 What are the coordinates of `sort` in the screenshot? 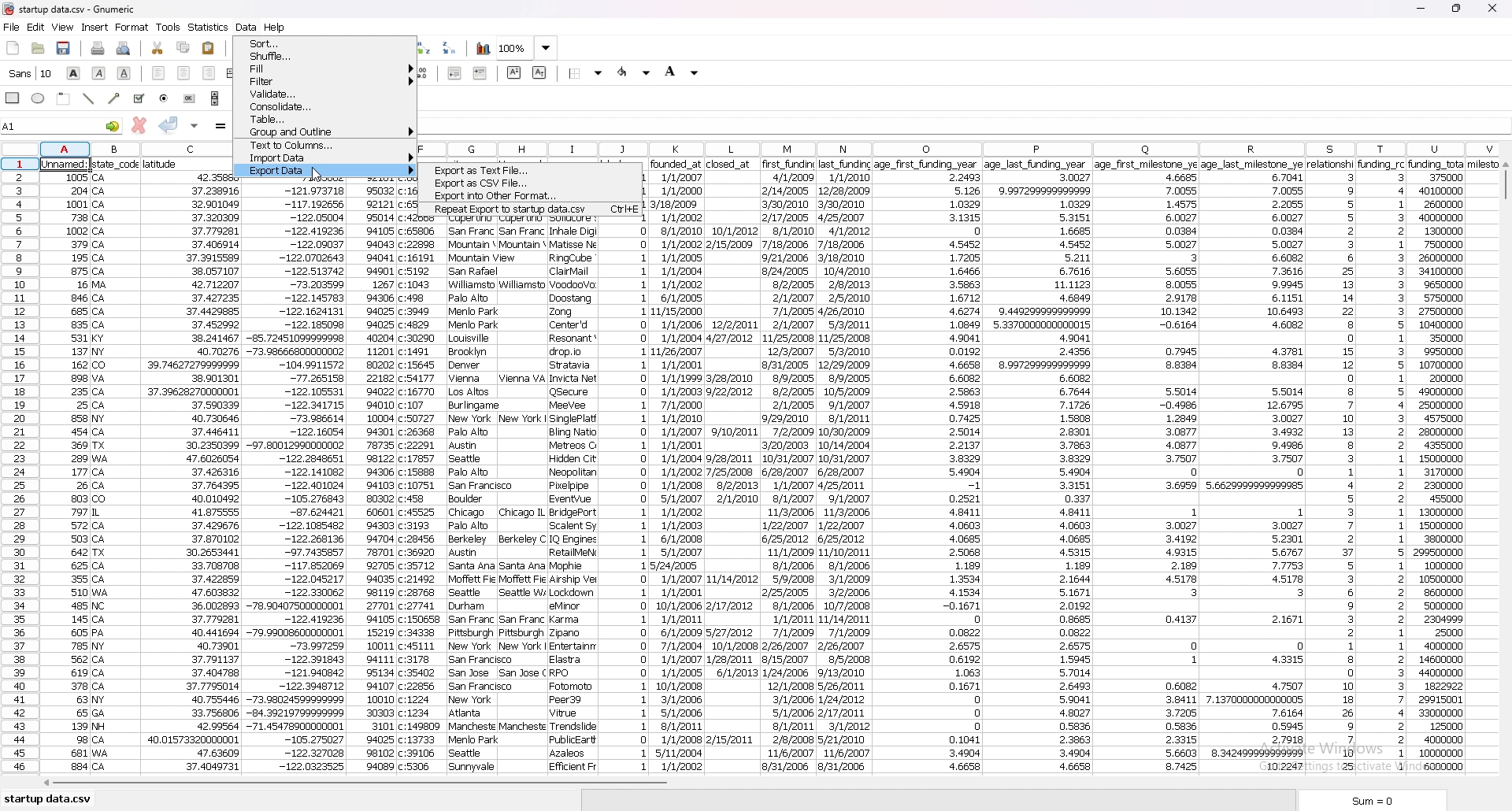 It's located at (324, 43).